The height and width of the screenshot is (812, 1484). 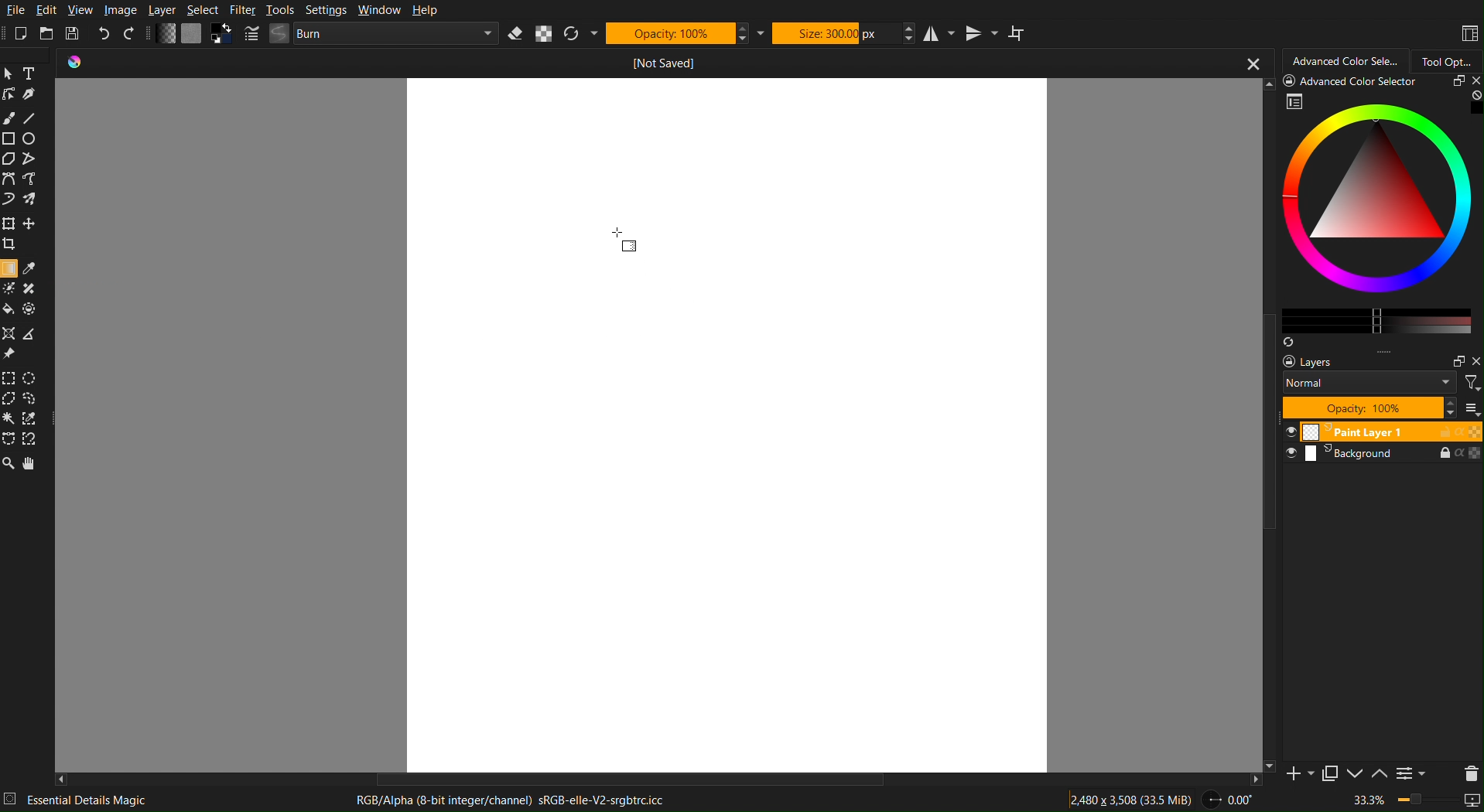 What do you see at coordinates (11, 73) in the screenshot?
I see `Pointer` at bounding box center [11, 73].